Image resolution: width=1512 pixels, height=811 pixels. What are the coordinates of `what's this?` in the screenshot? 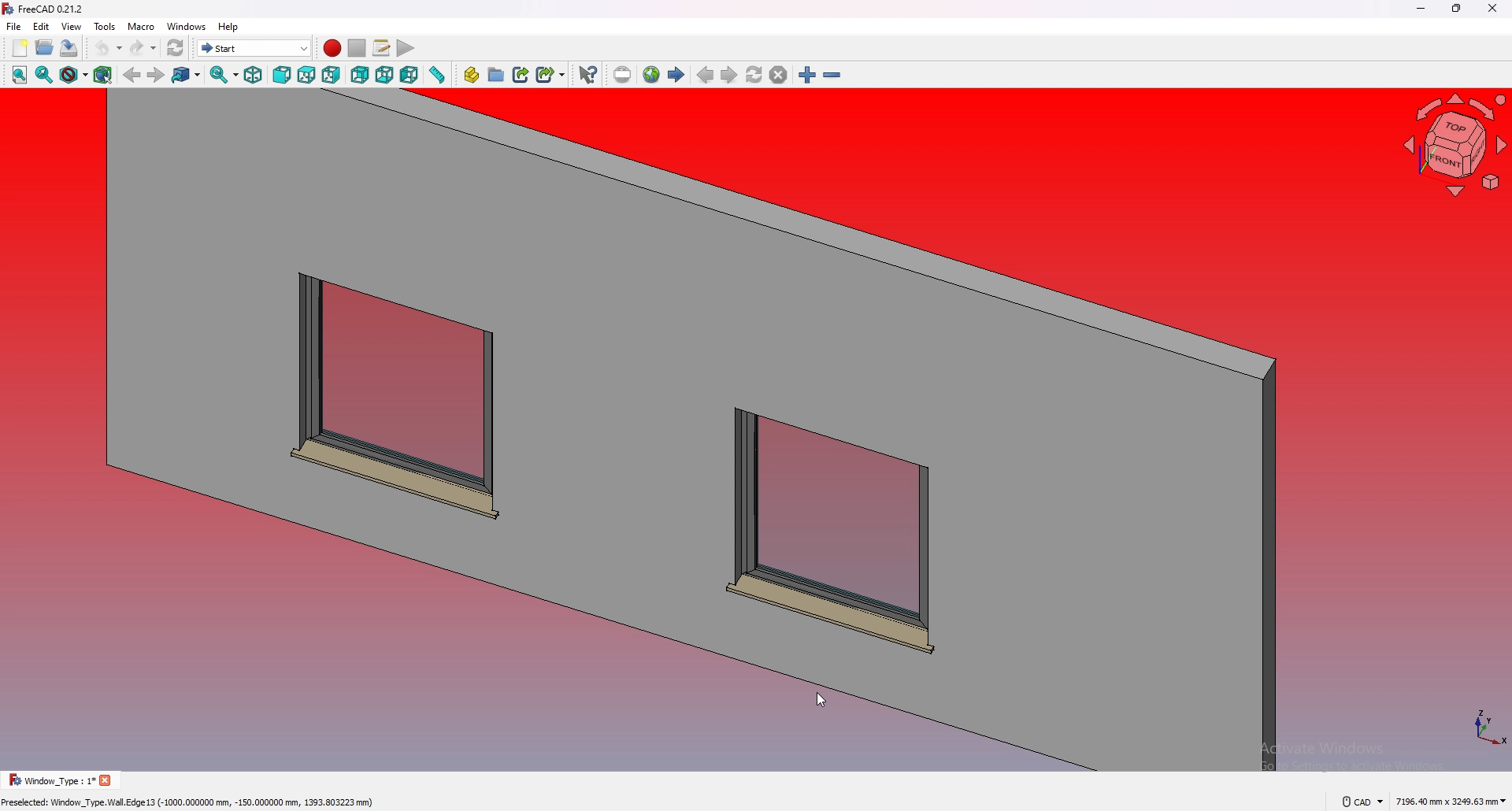 It's located at (588, 74).